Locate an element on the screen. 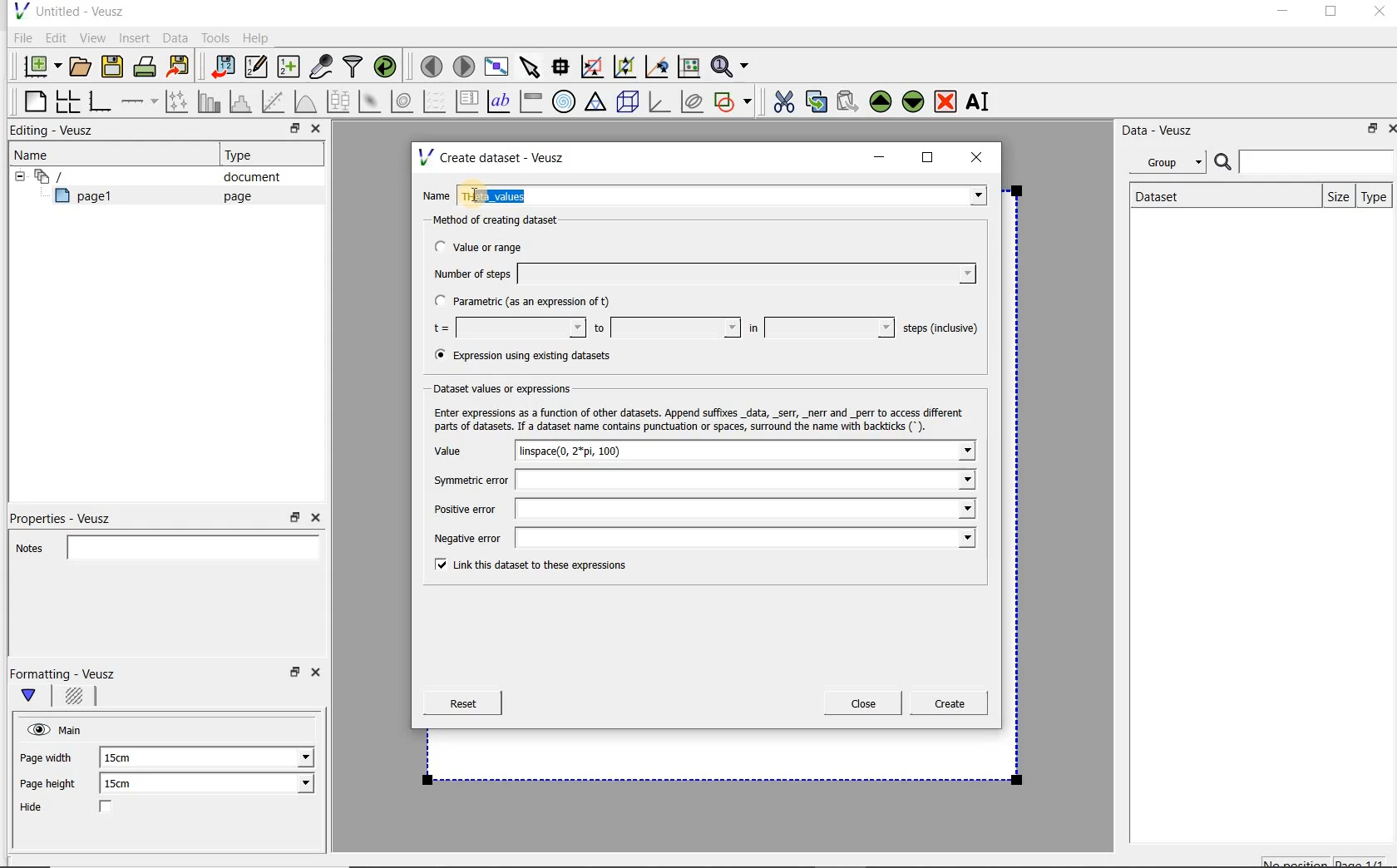 The image size is (1397, 868). histogram of a dataset is located at coordinates (243, 101).